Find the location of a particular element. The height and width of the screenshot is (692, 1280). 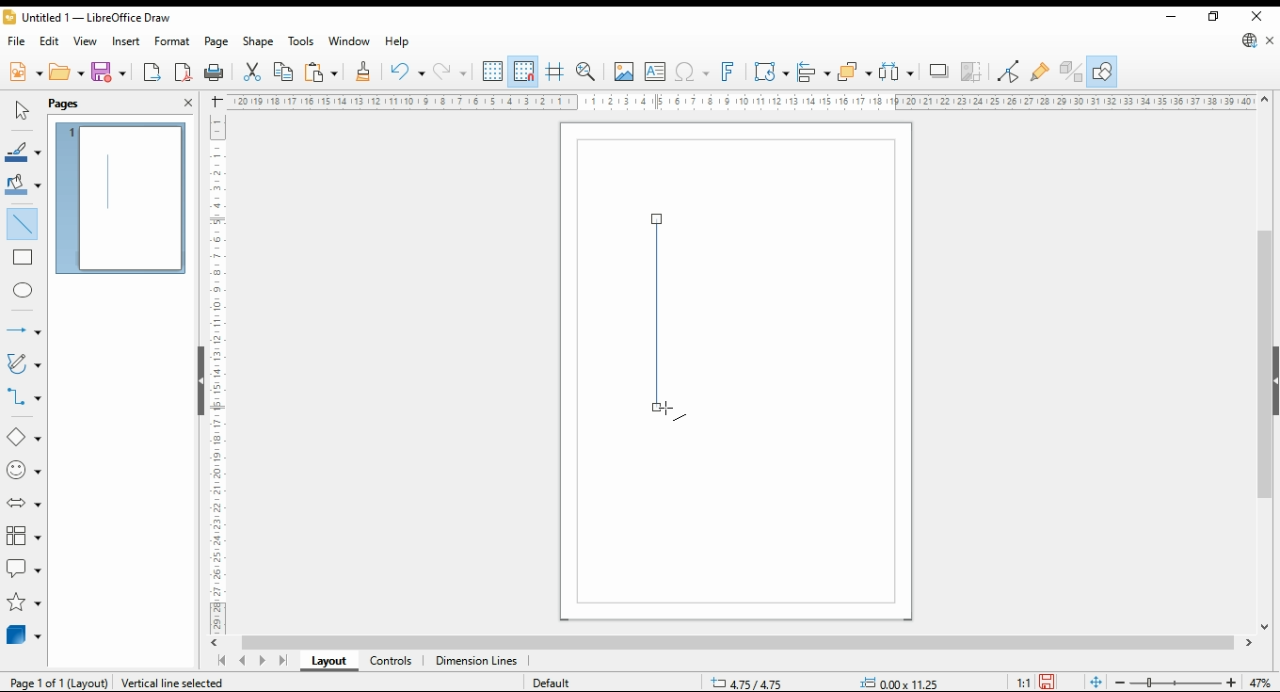

save is located at coordinates (110, 72).